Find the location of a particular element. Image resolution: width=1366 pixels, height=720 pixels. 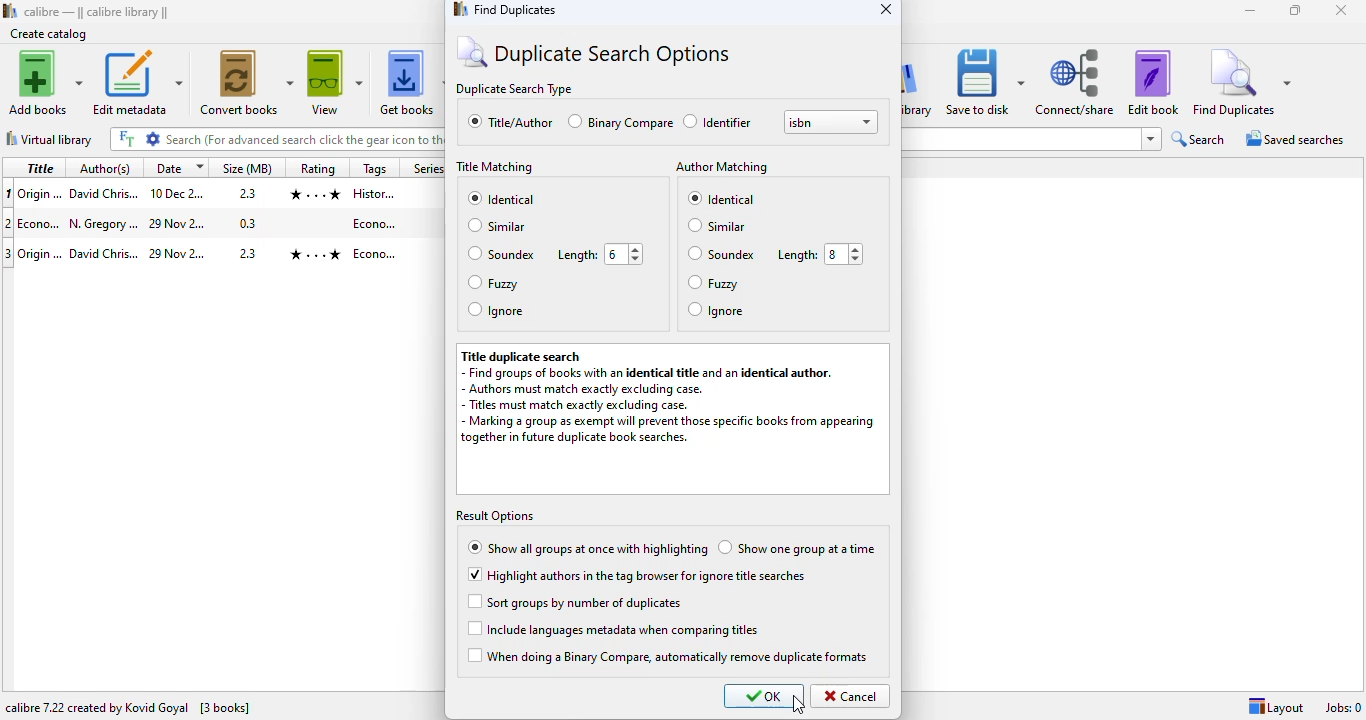

maximize is located at coordinates (1298, 10).